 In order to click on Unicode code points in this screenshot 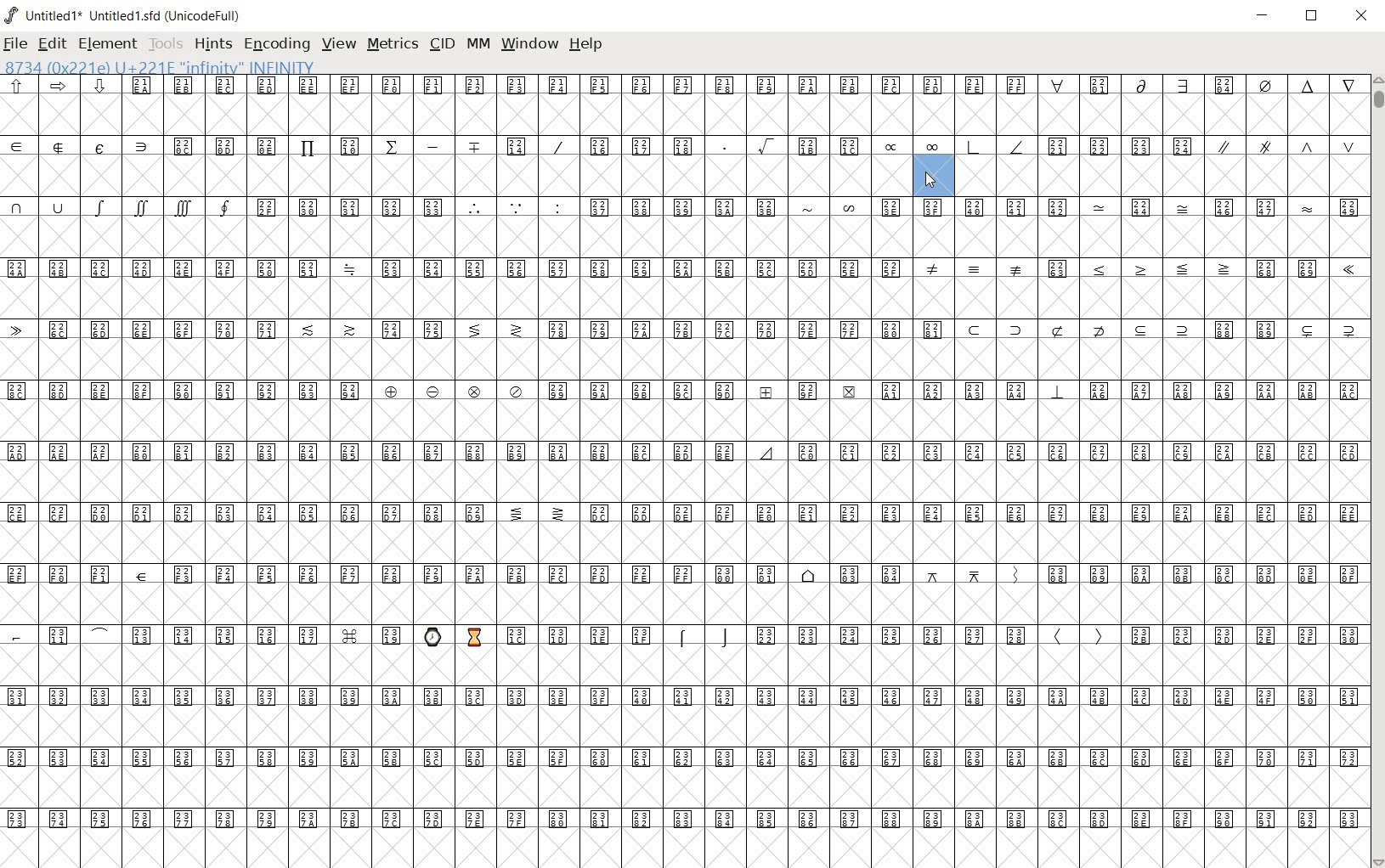, I will do `click(1246, 208)`.